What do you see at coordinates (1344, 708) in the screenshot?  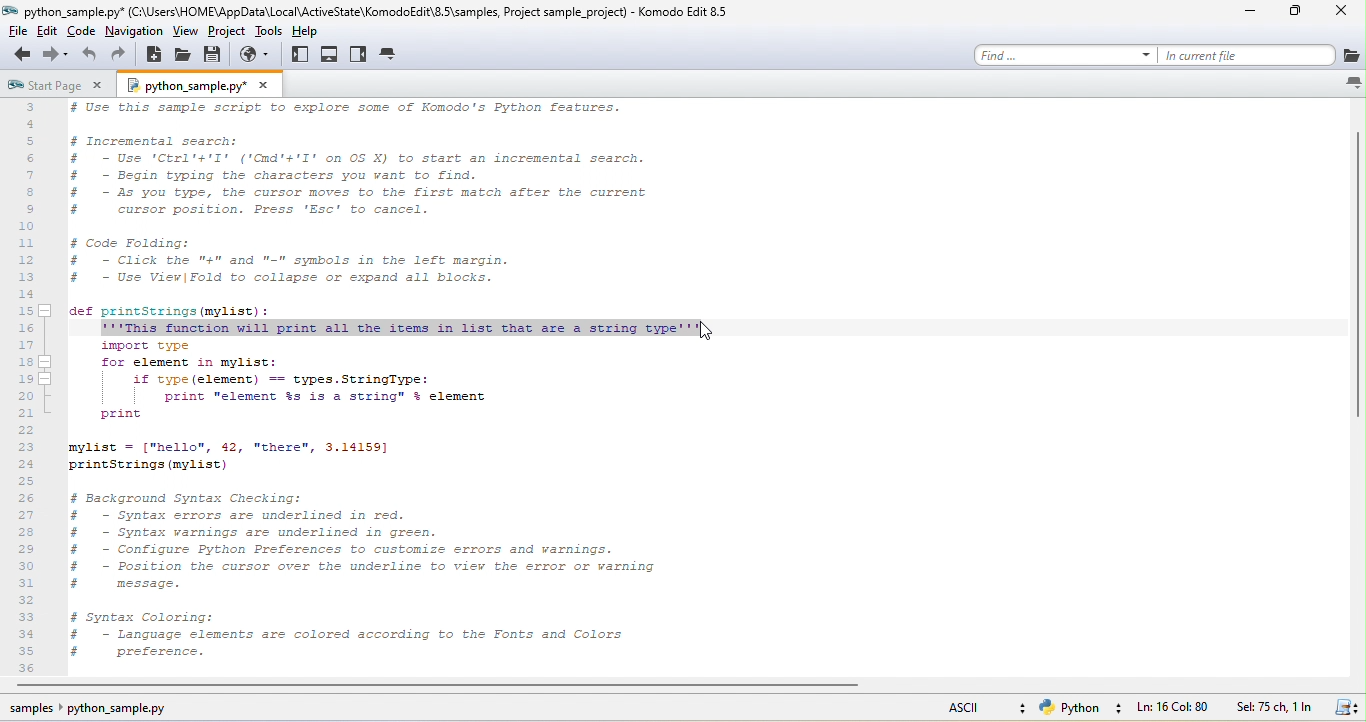 I see `save` at bounding box center [1344, 708].